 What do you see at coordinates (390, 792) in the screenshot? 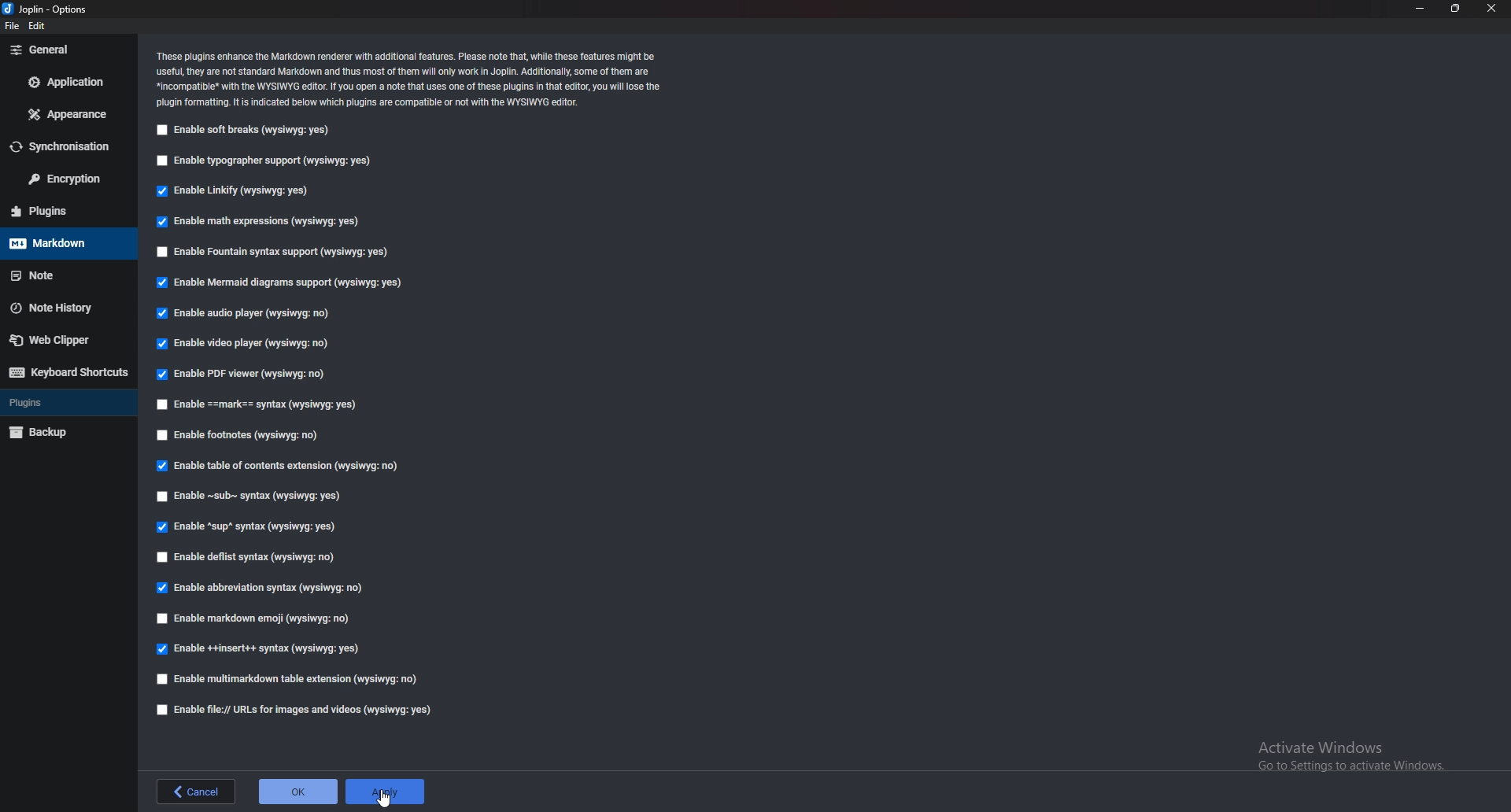
I see `apply` at bounding box center [390, 792].